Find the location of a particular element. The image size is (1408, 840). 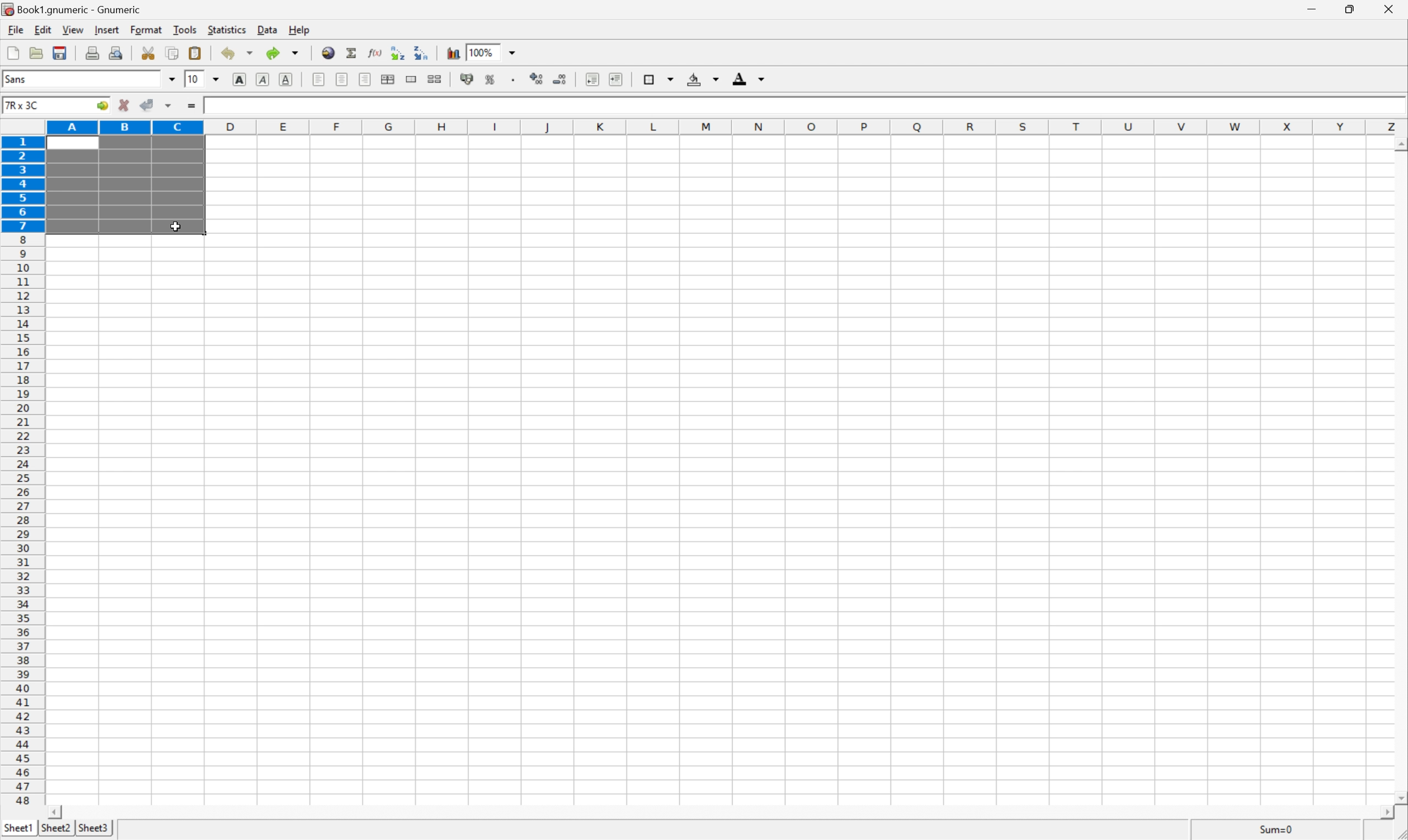

Cells is located at coordinates (793, 478).